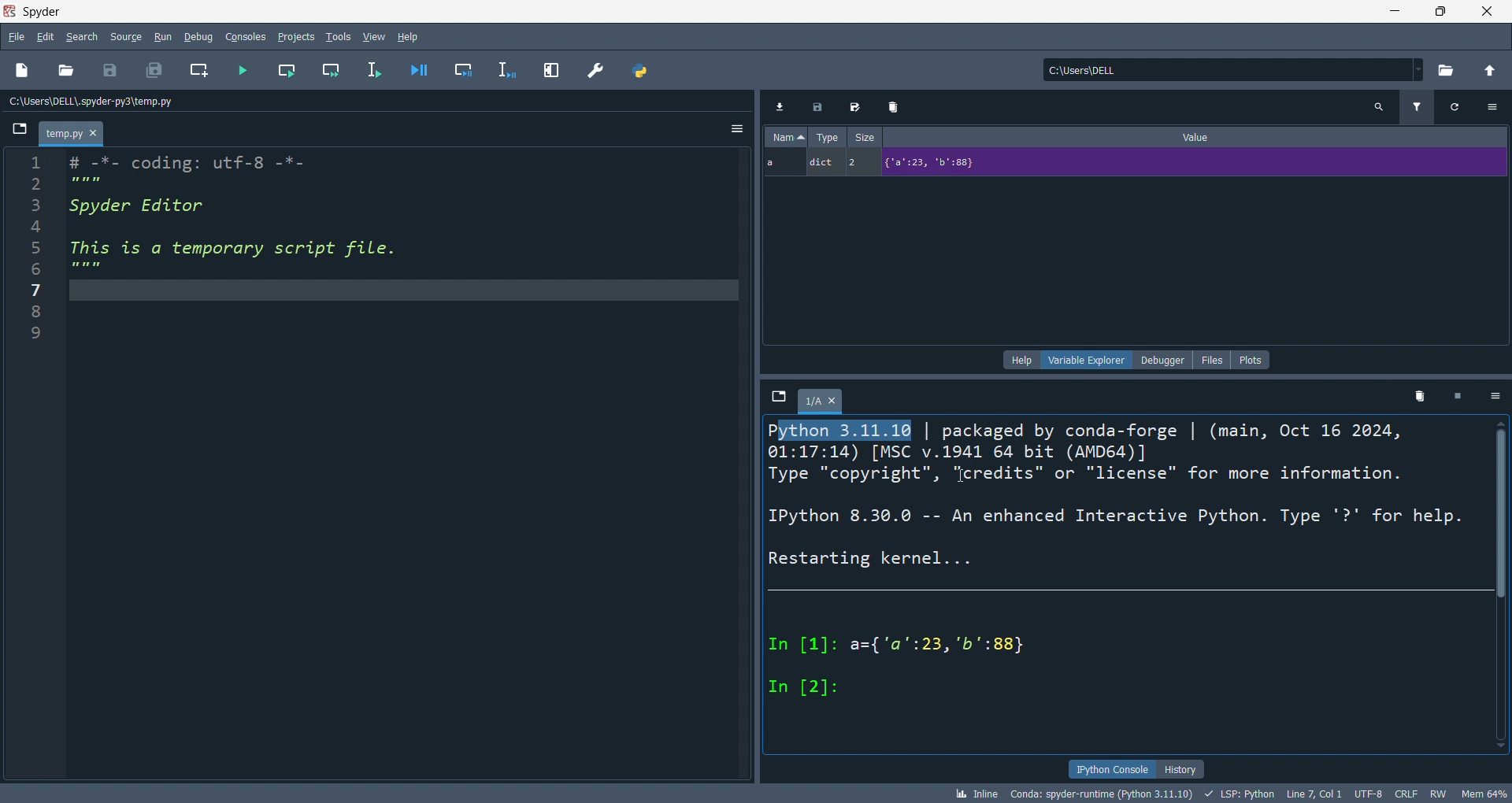 This screenshot has height=803, width=1512. What do you see at coordinates (1366, 794) in the screenshot?
I see `UTF-8` at bounding box center [1366, 794].